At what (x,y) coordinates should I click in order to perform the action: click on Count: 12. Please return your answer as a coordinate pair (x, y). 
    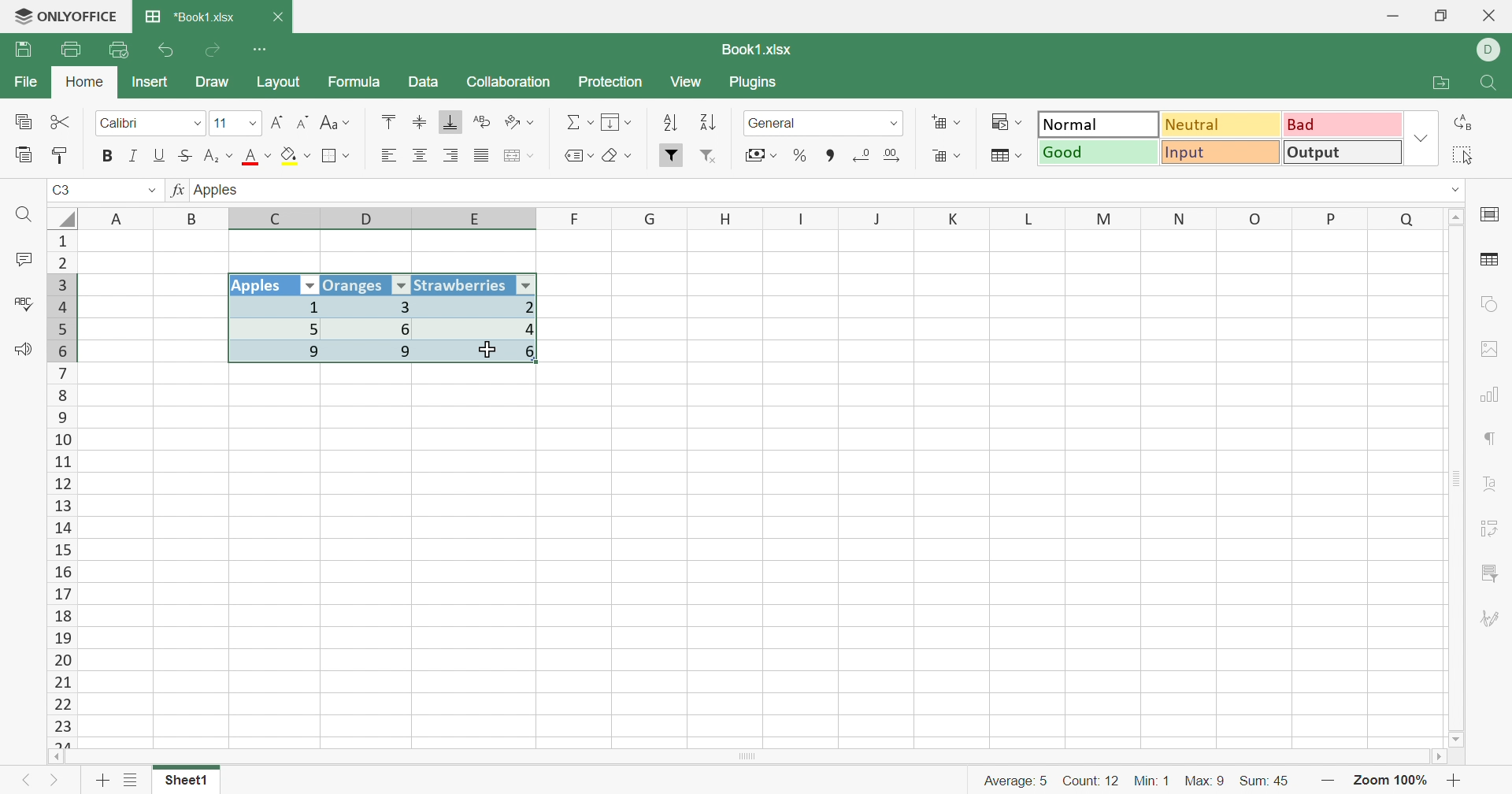
    Looking at the image, I should click on (1088, 779).